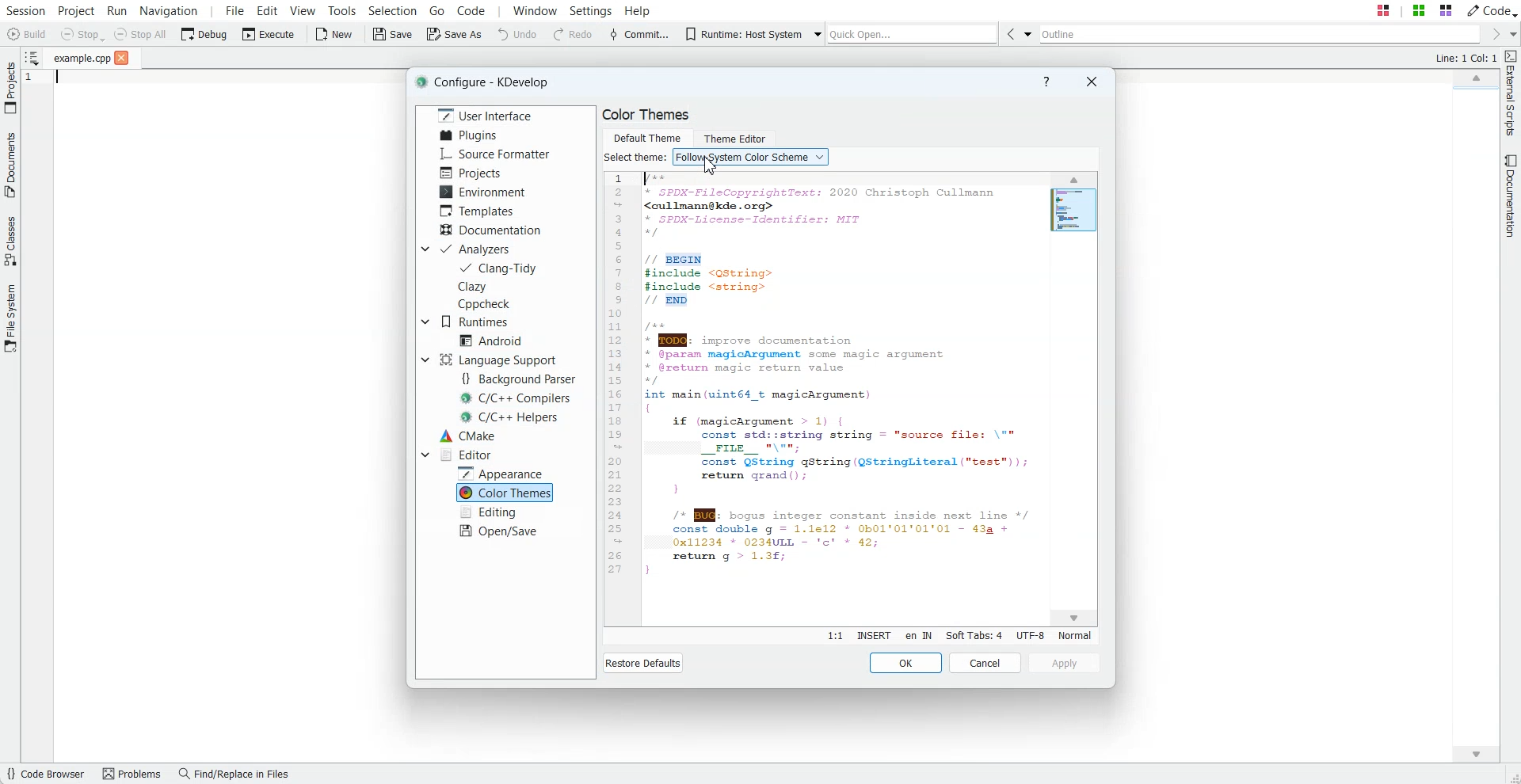 The width and height of the screenshot is (1521, 784). What do you see at coordinates (490, 229) in the screenshot?
I see `Documentation` at bounding box center [490, 229].